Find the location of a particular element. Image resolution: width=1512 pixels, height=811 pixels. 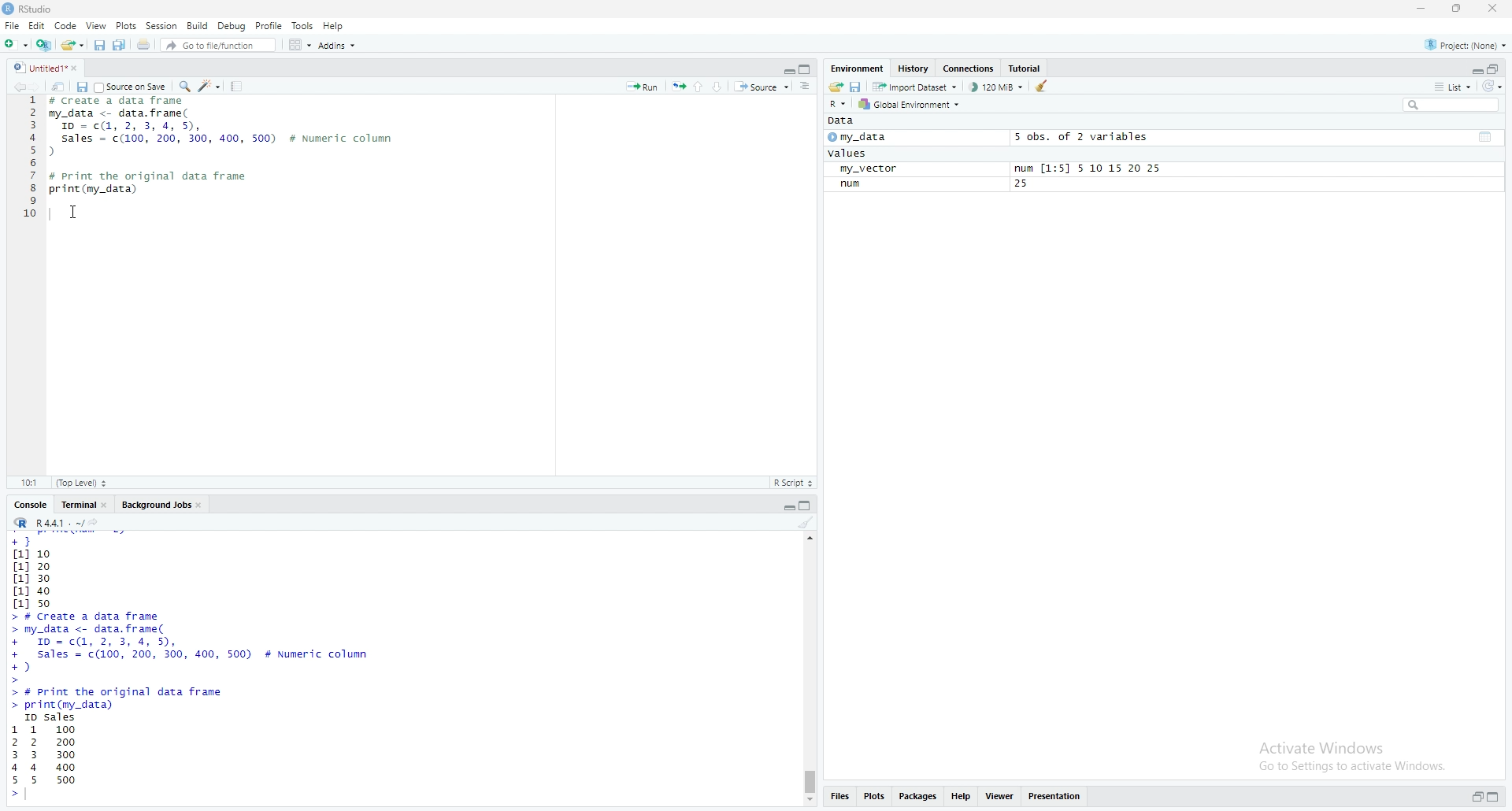

Go back to the previous source location is located at coordinates (13, 87).